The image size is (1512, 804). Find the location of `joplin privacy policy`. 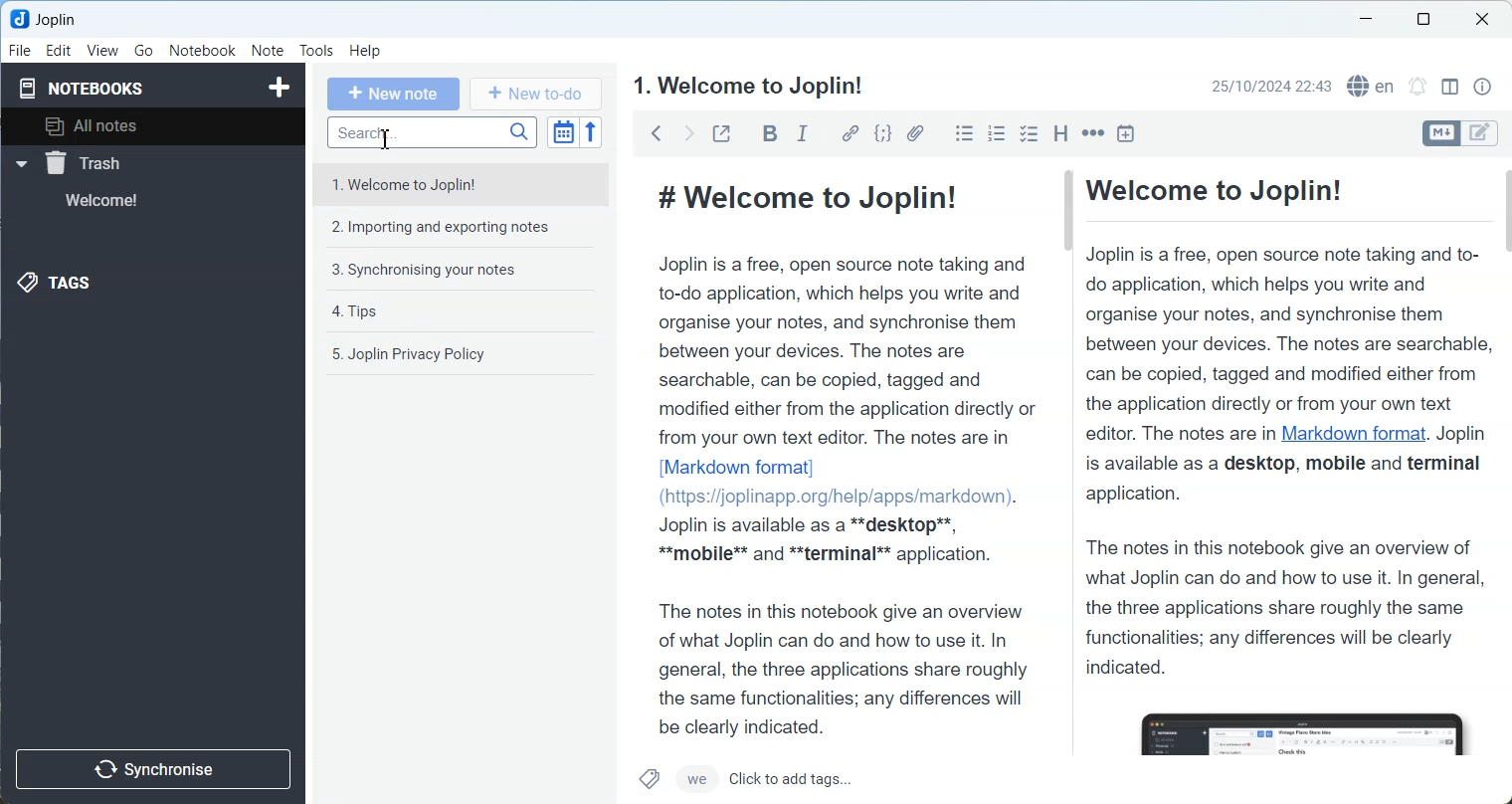

joplin privacy policy is located at coordinates (466, 353).